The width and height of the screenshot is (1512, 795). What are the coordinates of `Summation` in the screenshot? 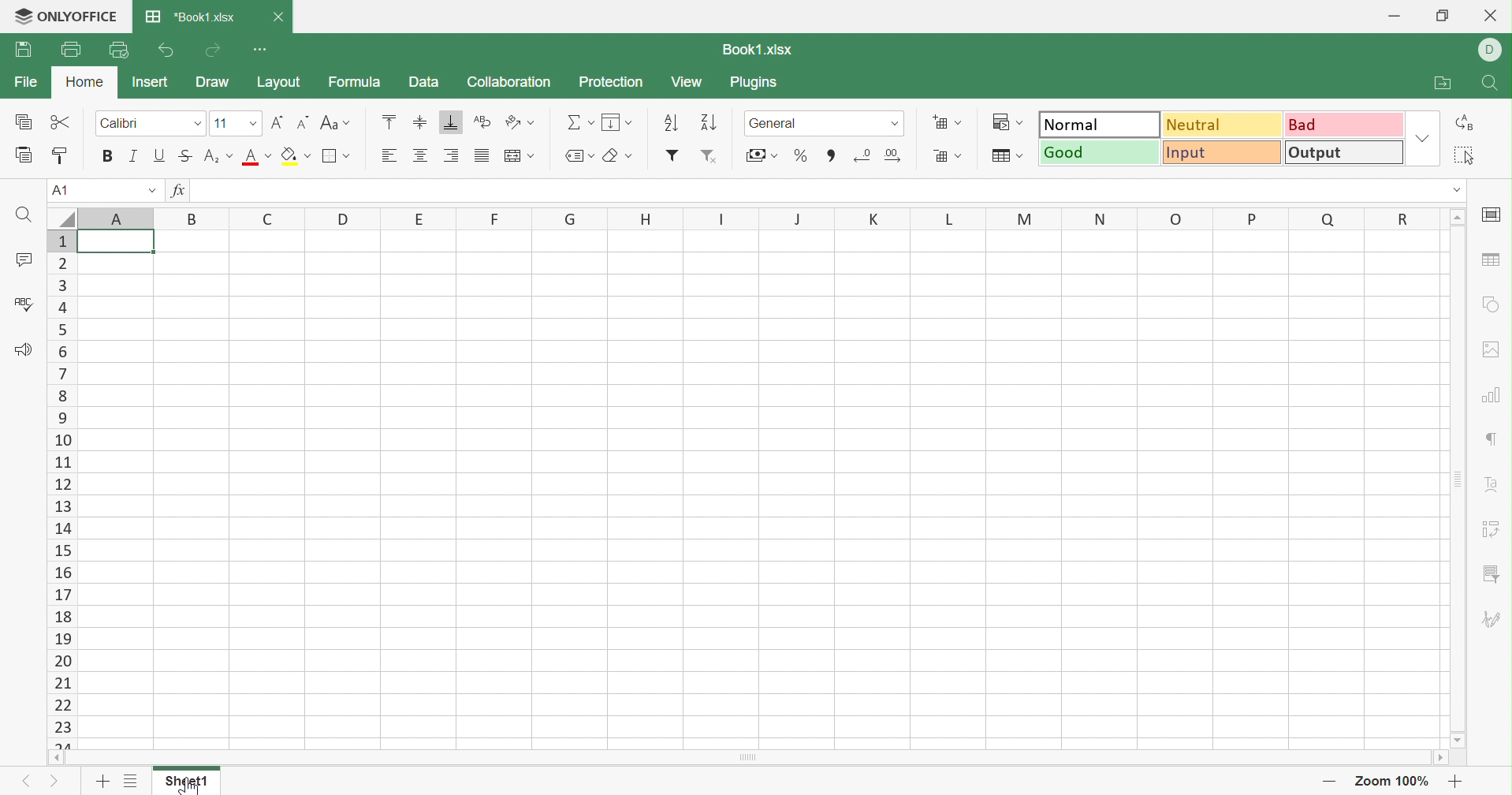 It's located at (579, 118).